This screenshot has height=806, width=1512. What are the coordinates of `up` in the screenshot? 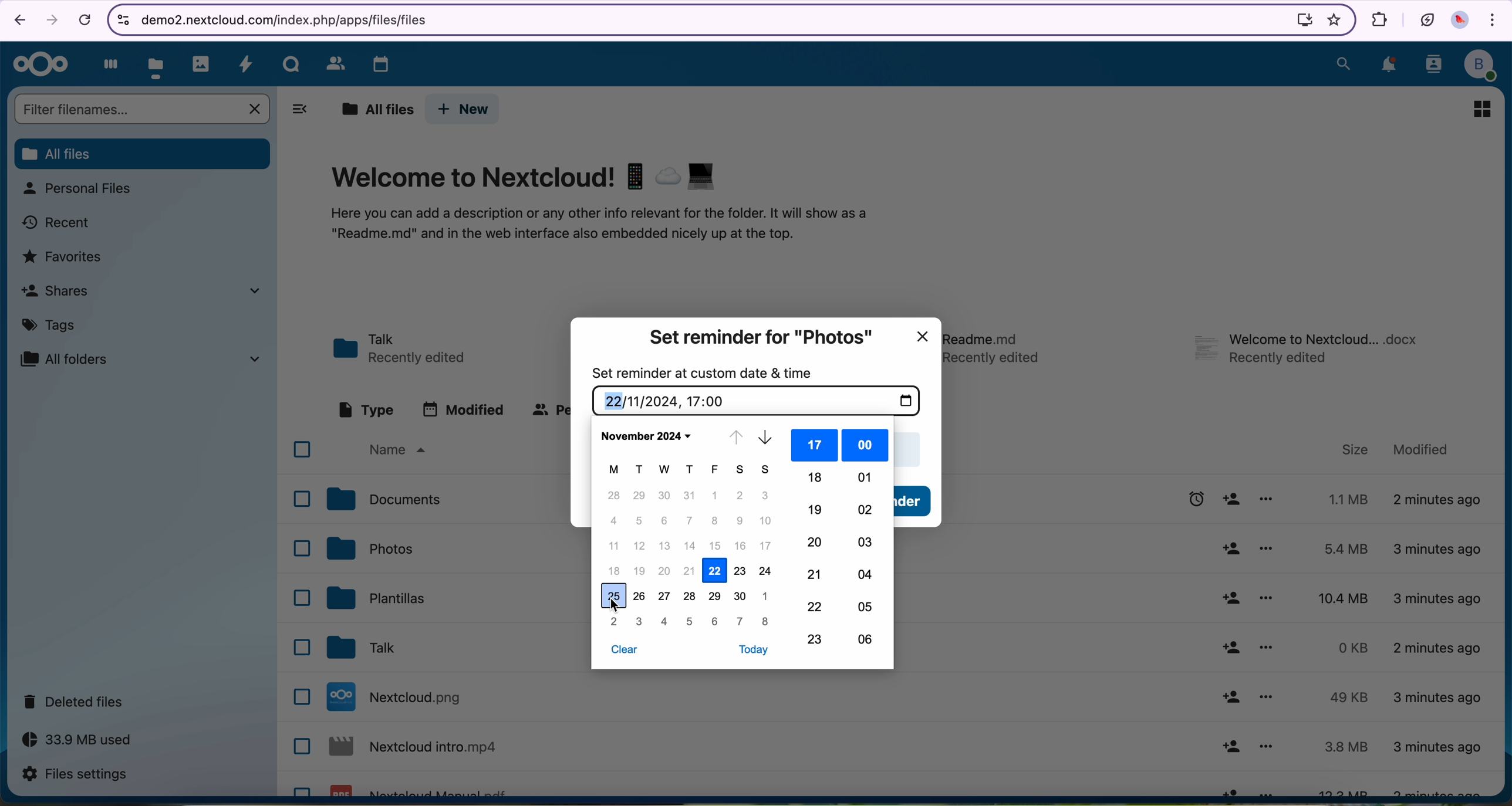 It's located at (735, 439).